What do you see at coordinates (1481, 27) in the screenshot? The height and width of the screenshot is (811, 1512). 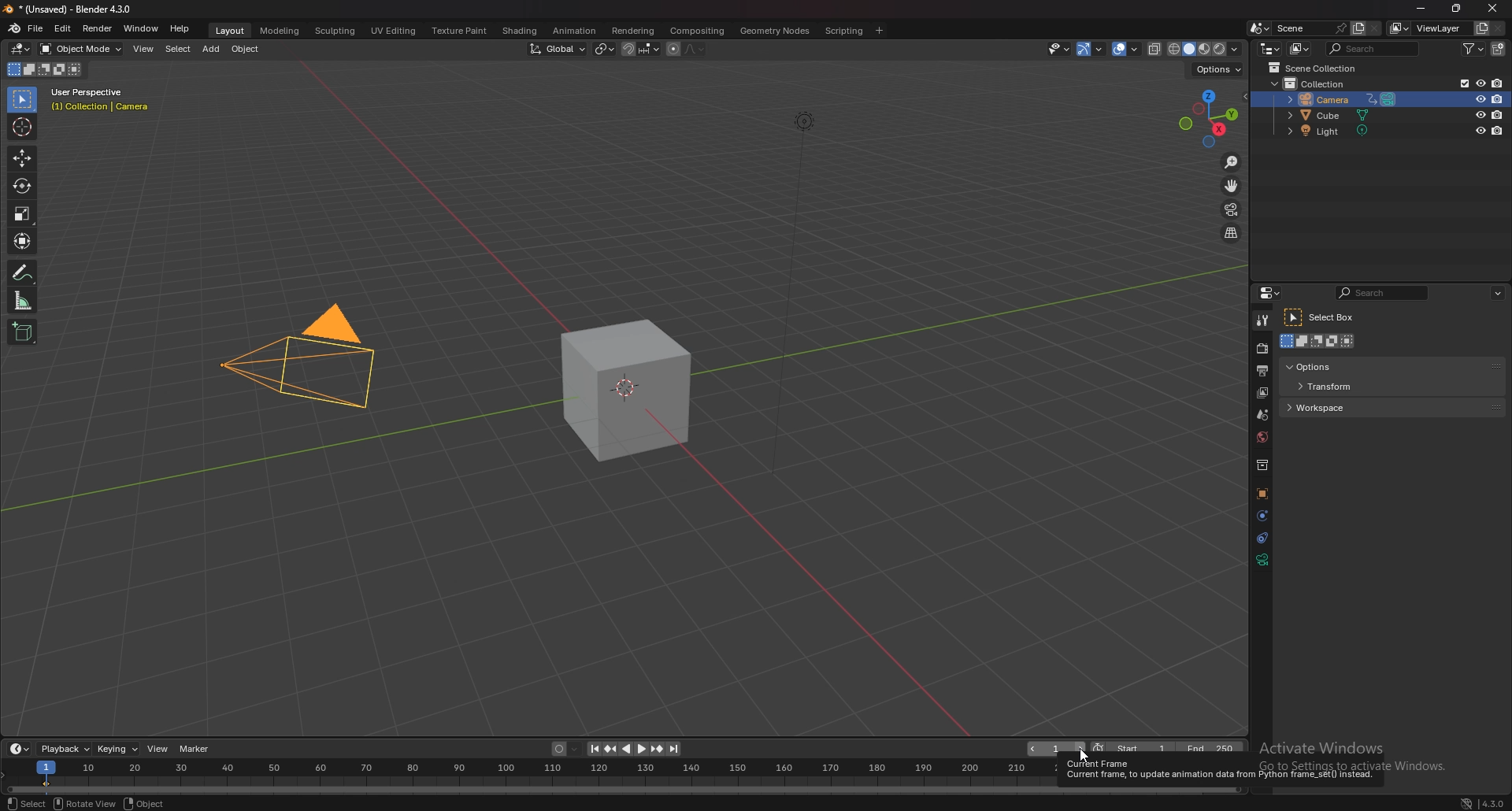 I see `add viewlayer` at bounding box center [1481, 27].